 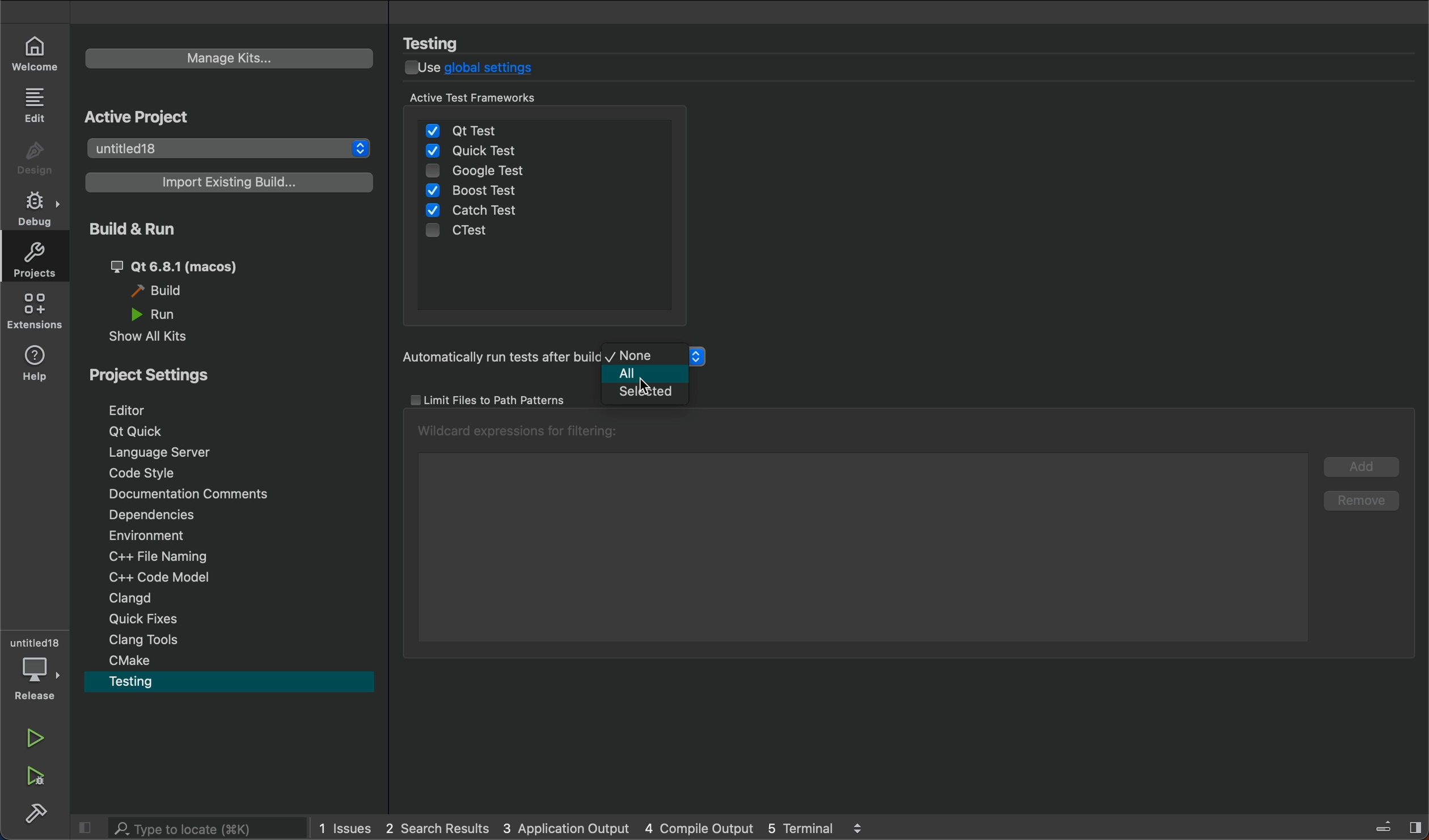 What do you see at coordinates (164, 291) in the screenshot?
I see `build` at bounding box center [164, 291].